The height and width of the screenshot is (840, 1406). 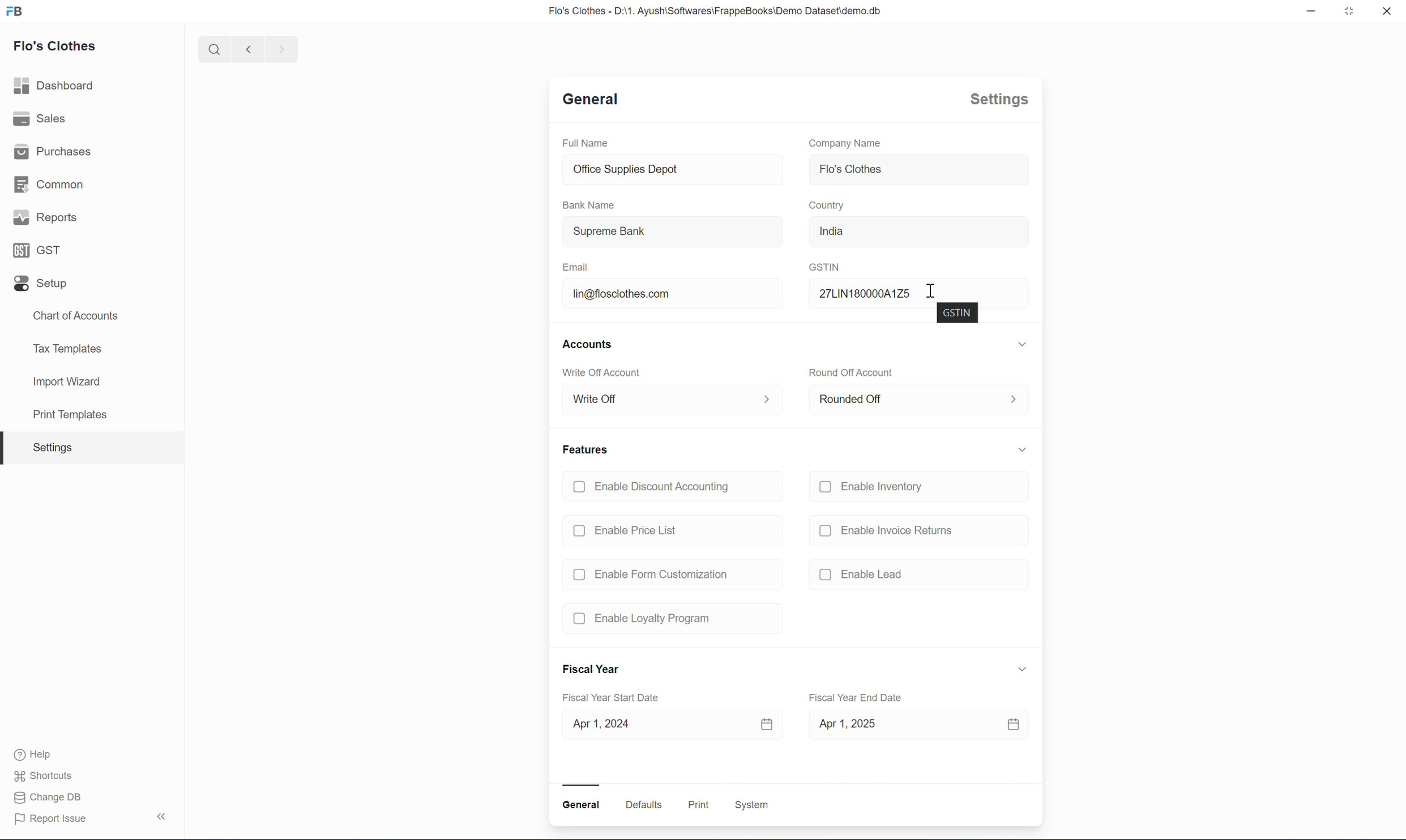 I want to click on Reports, so click(x=45, y=220).